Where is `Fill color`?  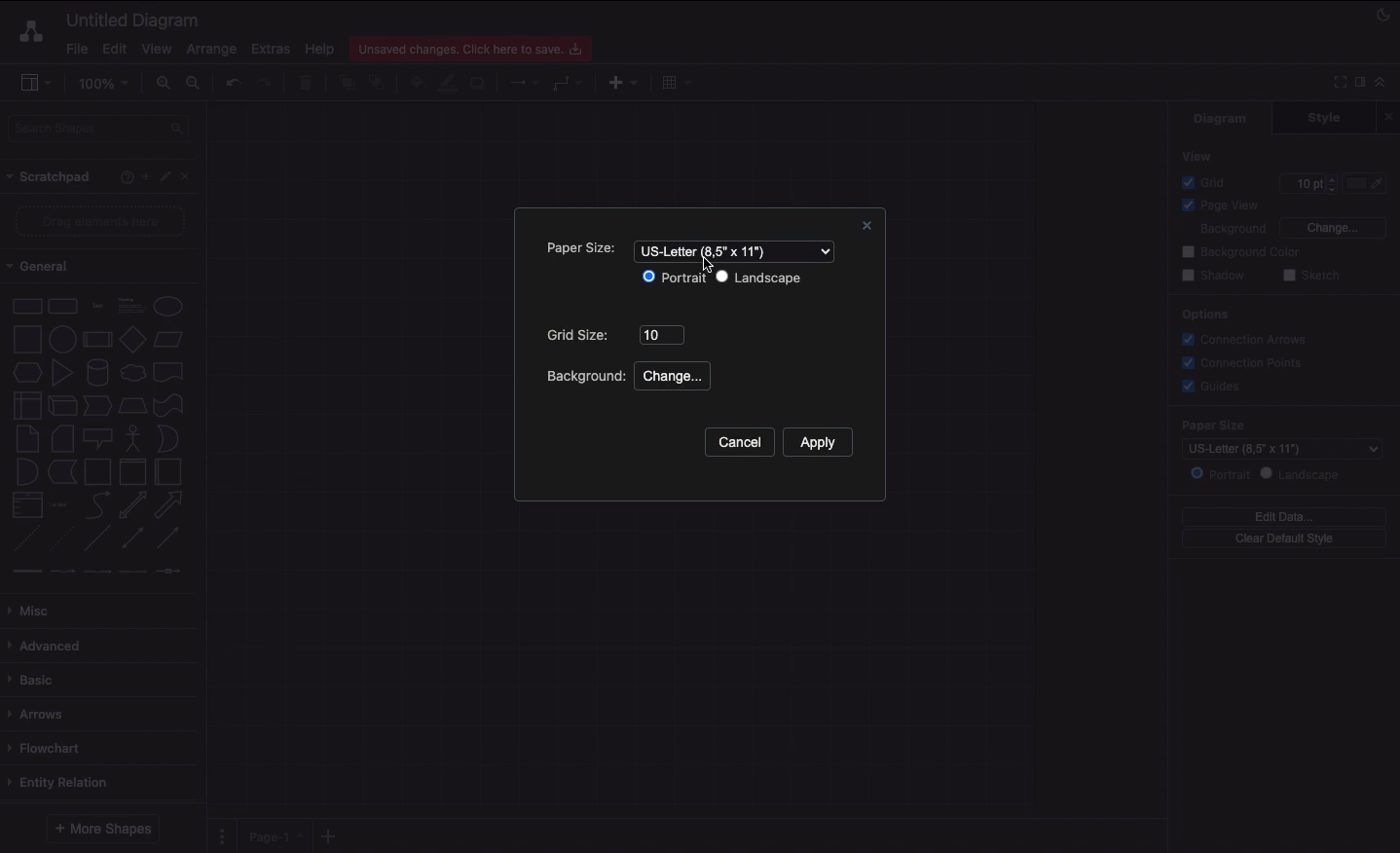 Fill color is located at coordinates (416, 85).